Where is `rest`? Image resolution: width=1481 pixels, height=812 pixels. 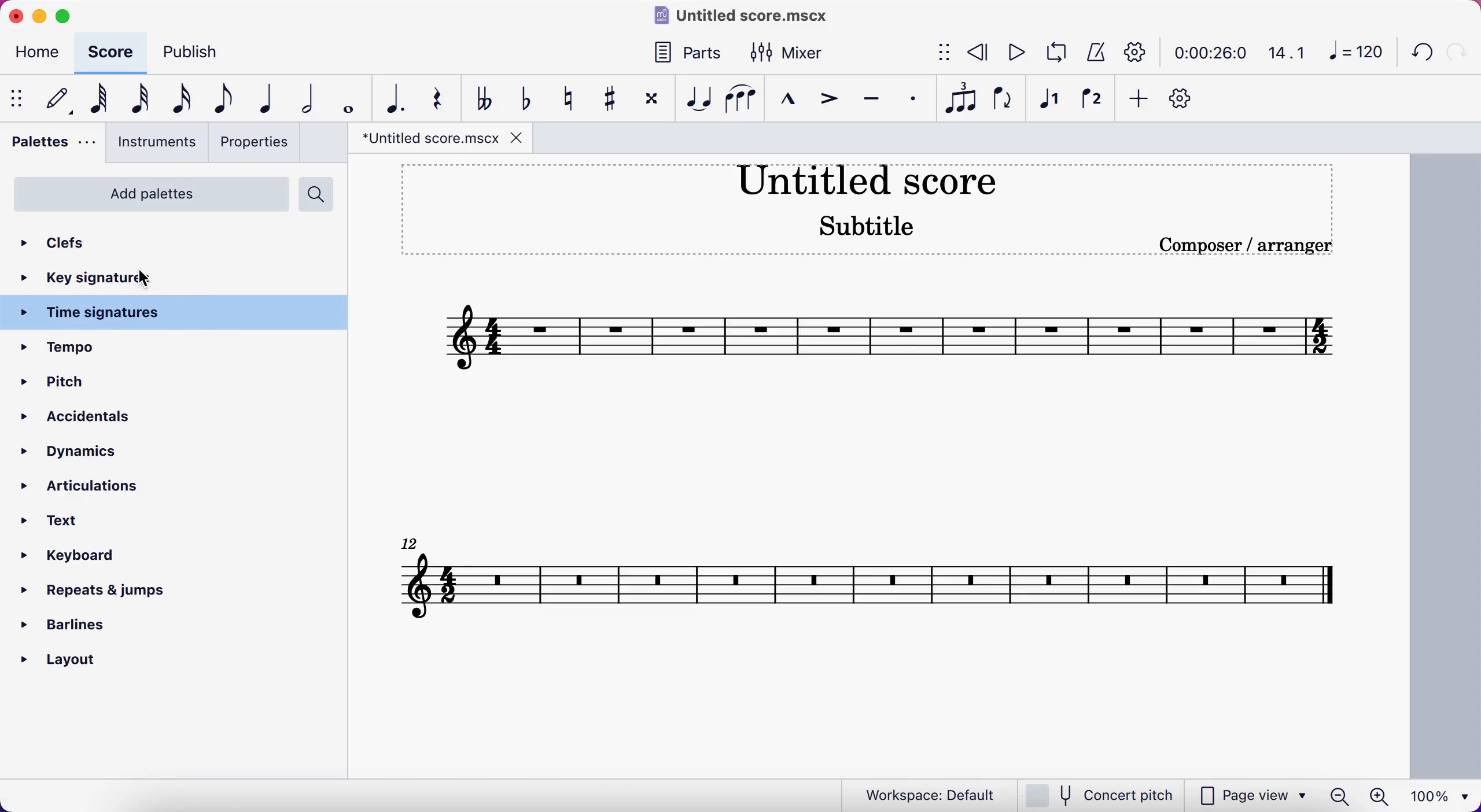
rest is located at coordinates (443, 96).